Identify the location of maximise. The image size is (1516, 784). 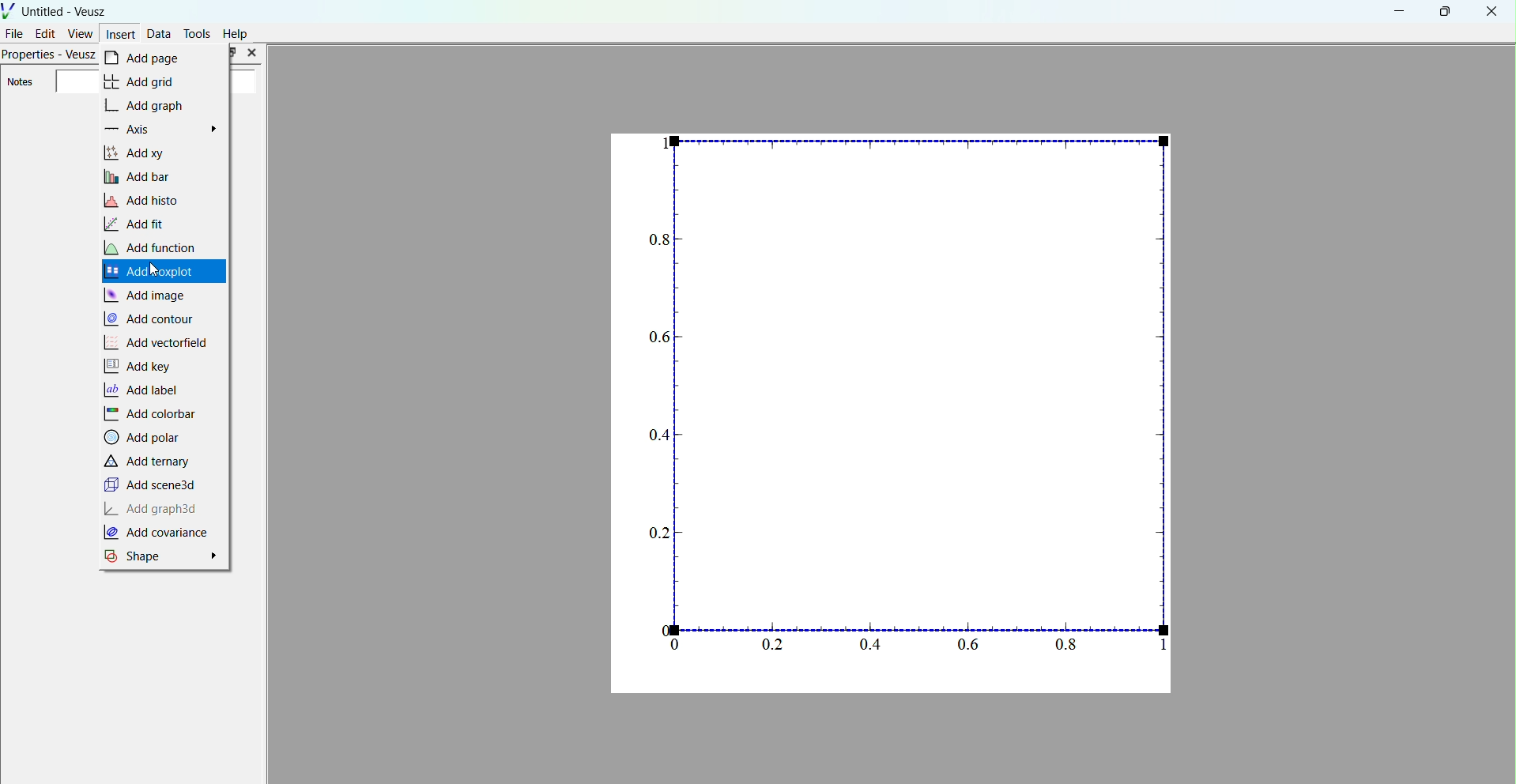
(1442, 11).